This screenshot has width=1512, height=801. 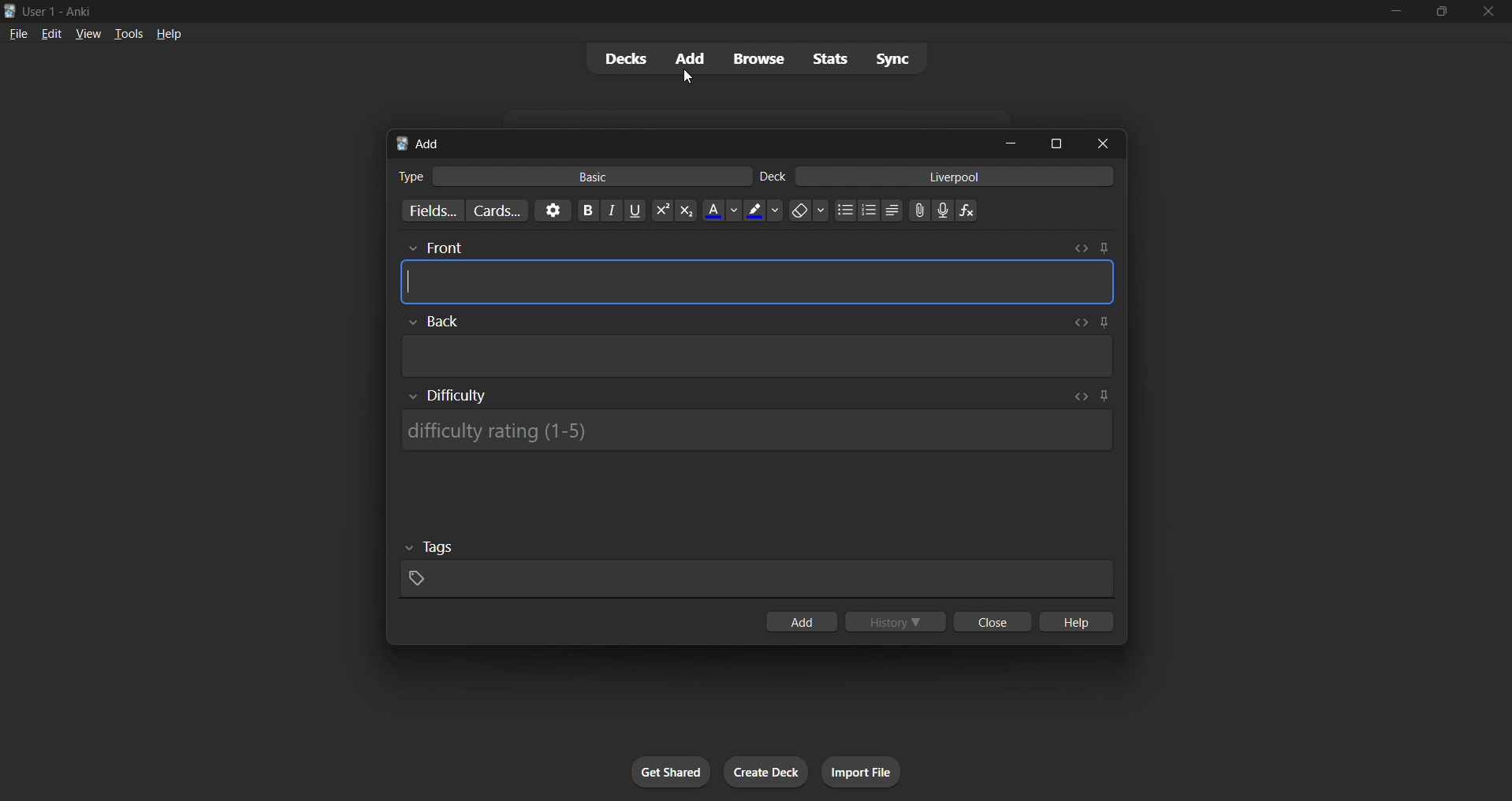 I want to click on close, so click(x=989, y=623).